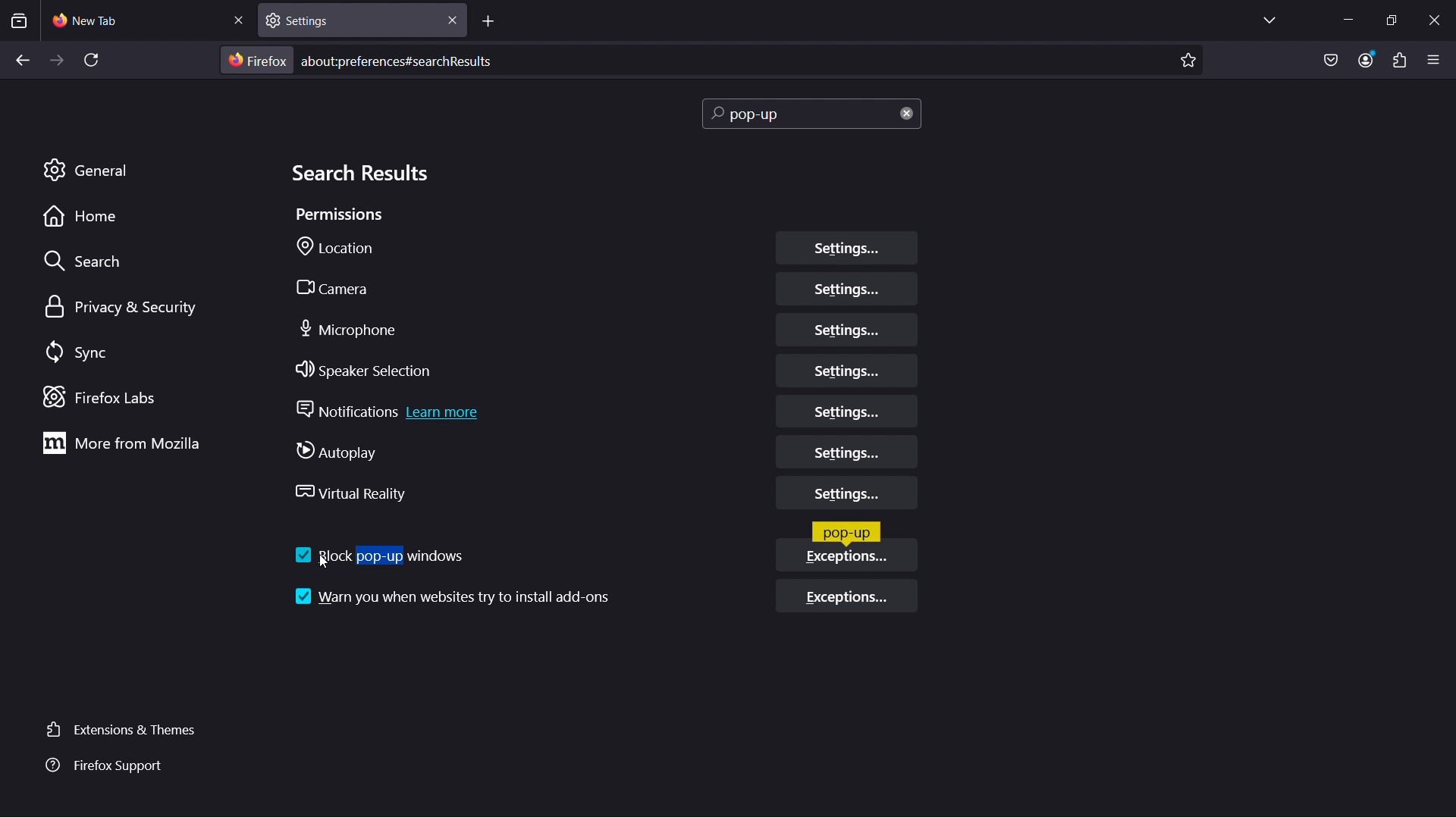  Describe the element at coordinates (492, 21) in the screenshot. I see `Add tab` at that location.